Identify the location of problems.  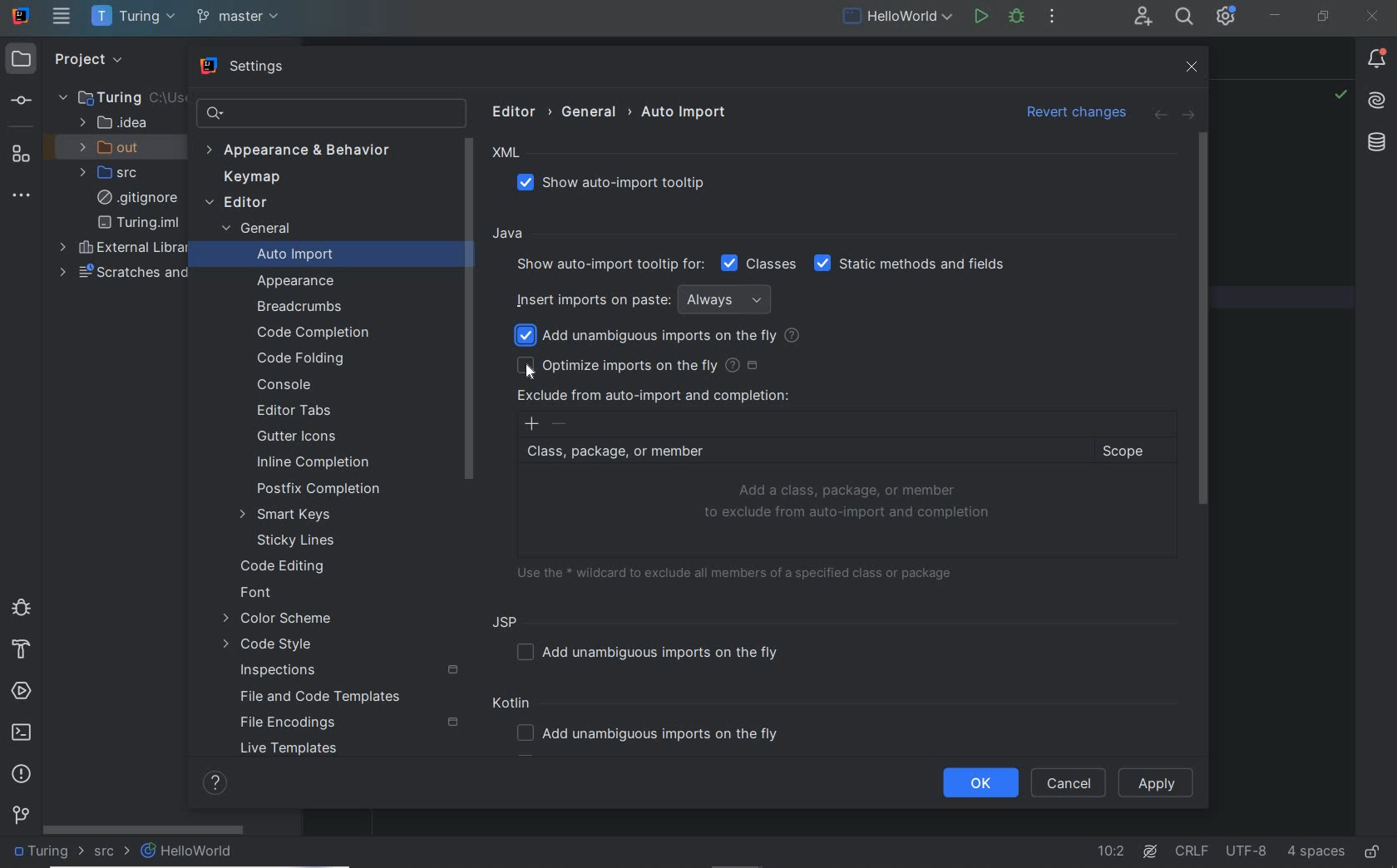
(22, 773).